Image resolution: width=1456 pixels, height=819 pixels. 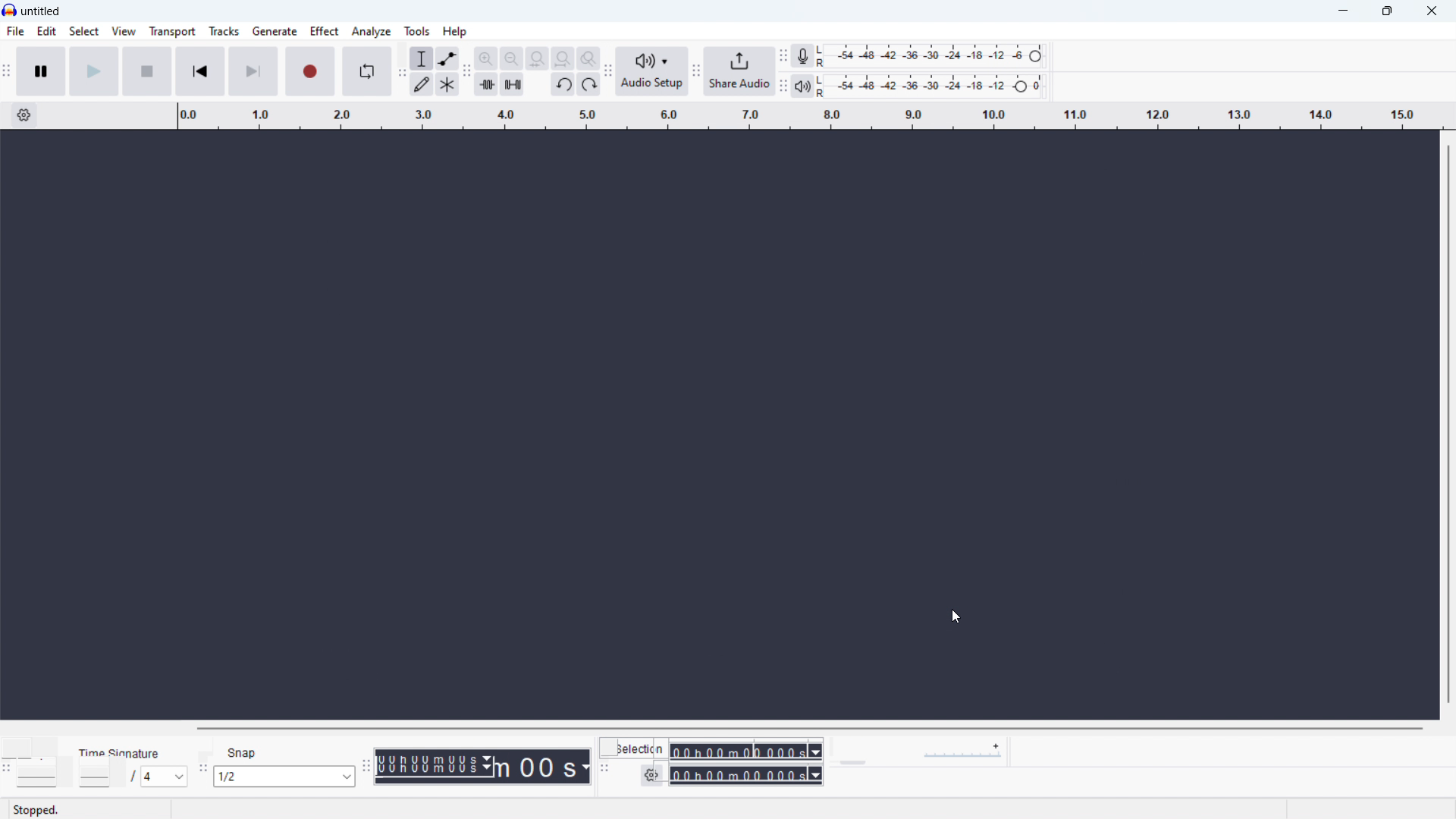 I want to click on zoom out, so click(x=512, y=59).